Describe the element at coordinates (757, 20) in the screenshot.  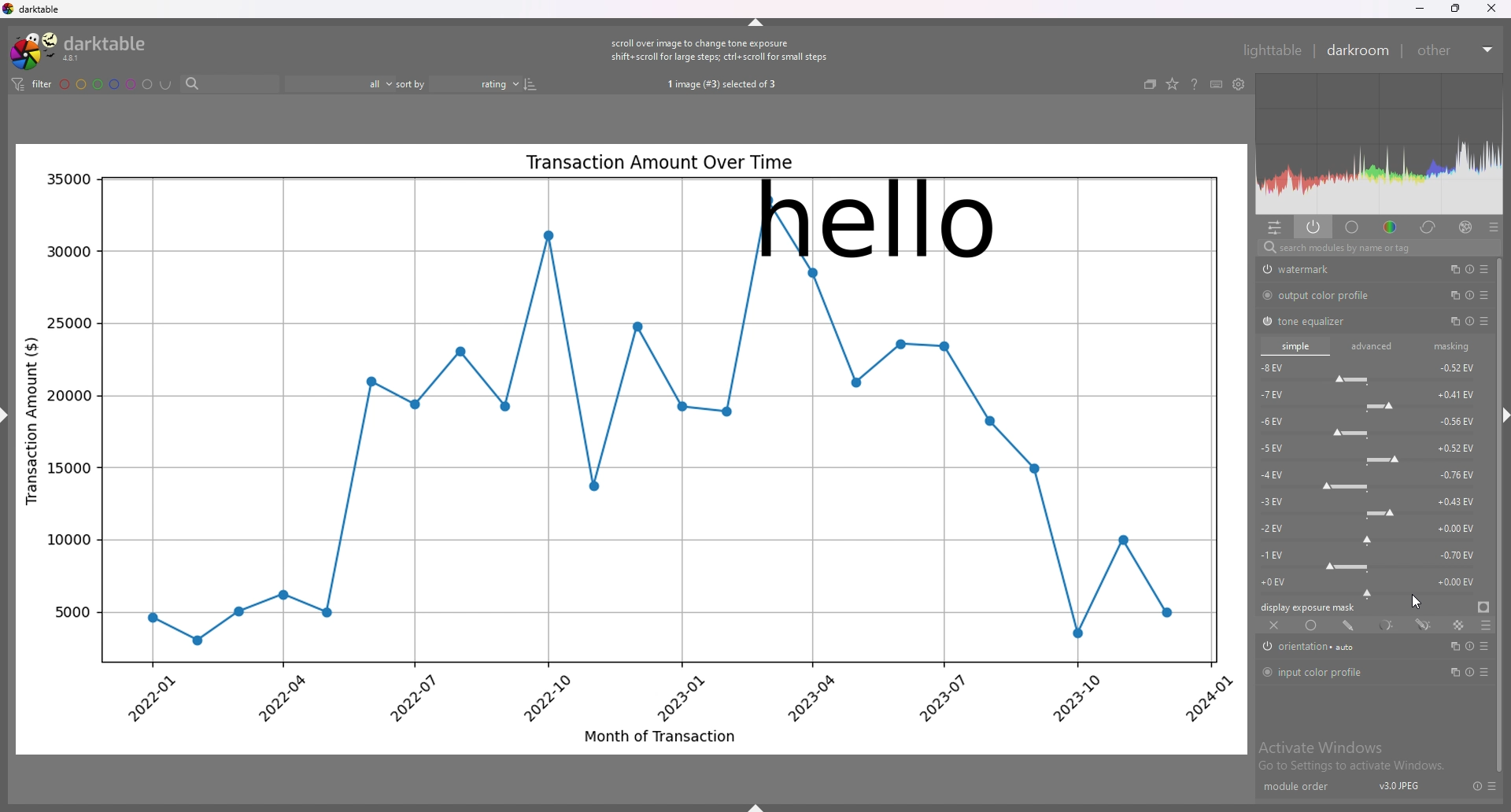
I see `hide` at that location.